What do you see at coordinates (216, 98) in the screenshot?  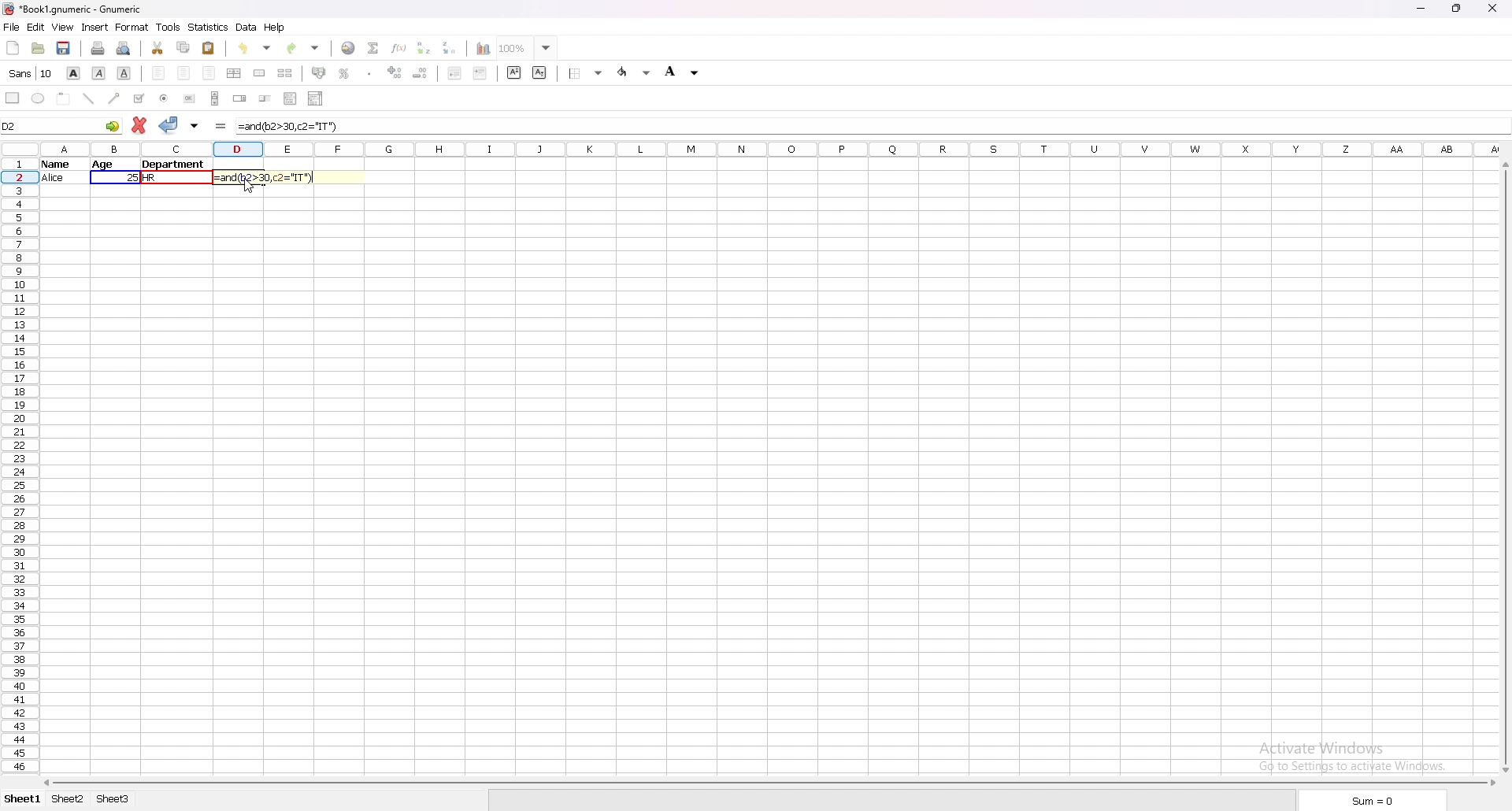 I see `scroll bar` at bounding box center [216, 98].